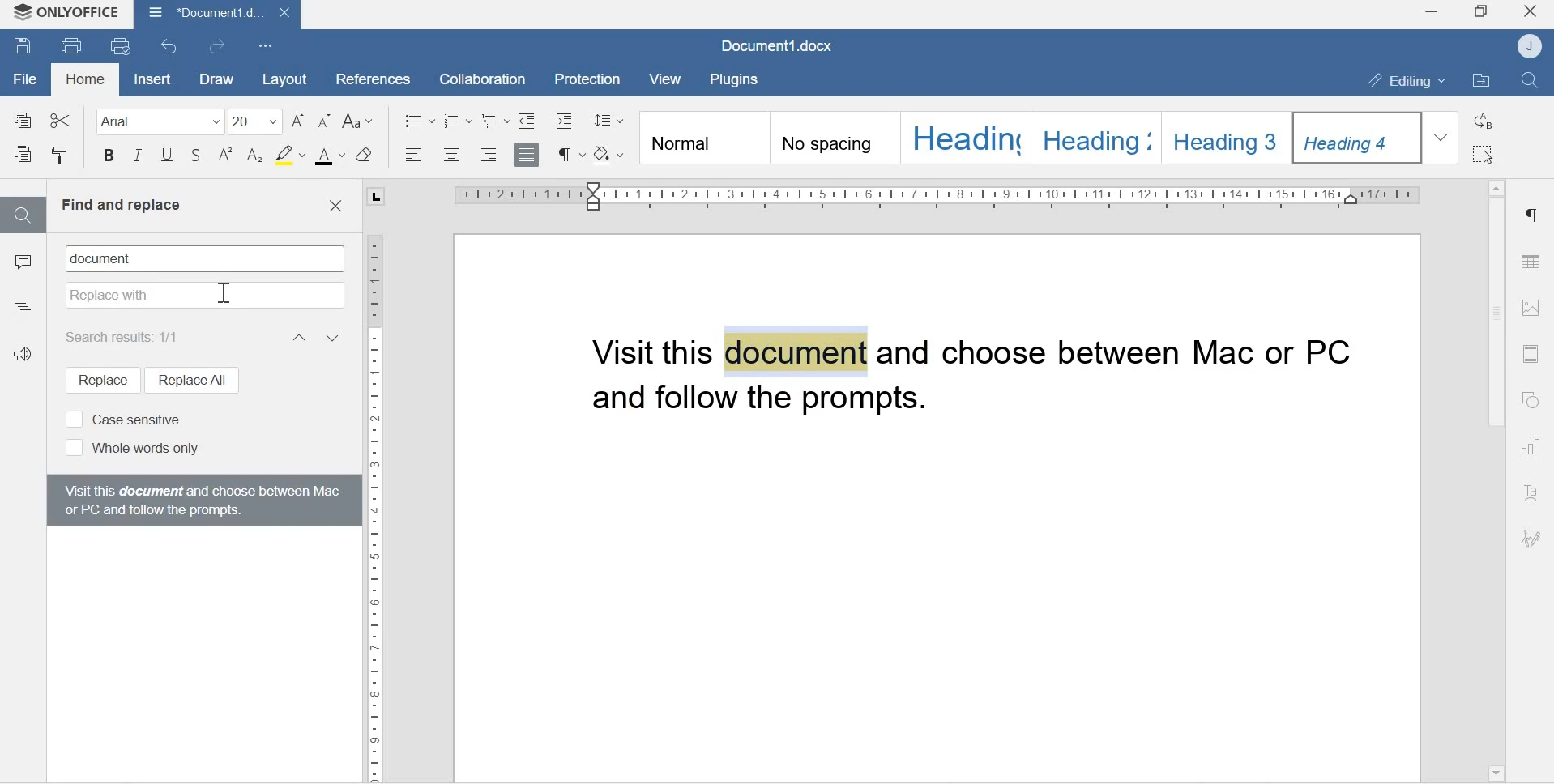 Image resolution: width=1554 pixels, height=784 pixels. Describe the element at coordinates (138, 157) in the screenshot. I see `Itallics` at that location.